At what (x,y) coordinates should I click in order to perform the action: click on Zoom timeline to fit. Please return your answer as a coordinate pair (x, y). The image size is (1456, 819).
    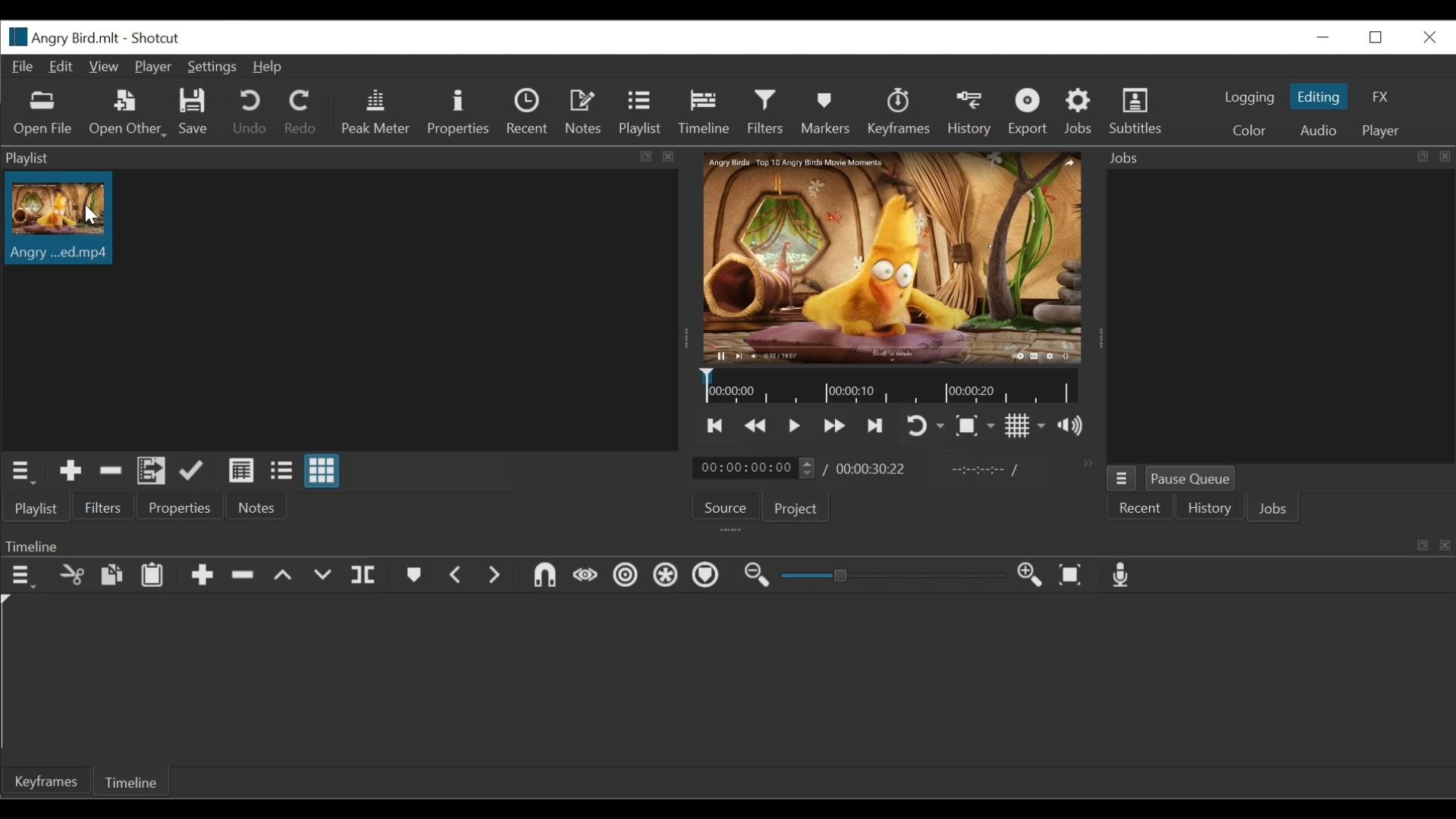
    Looking at the image, I should click on (1072, 576).